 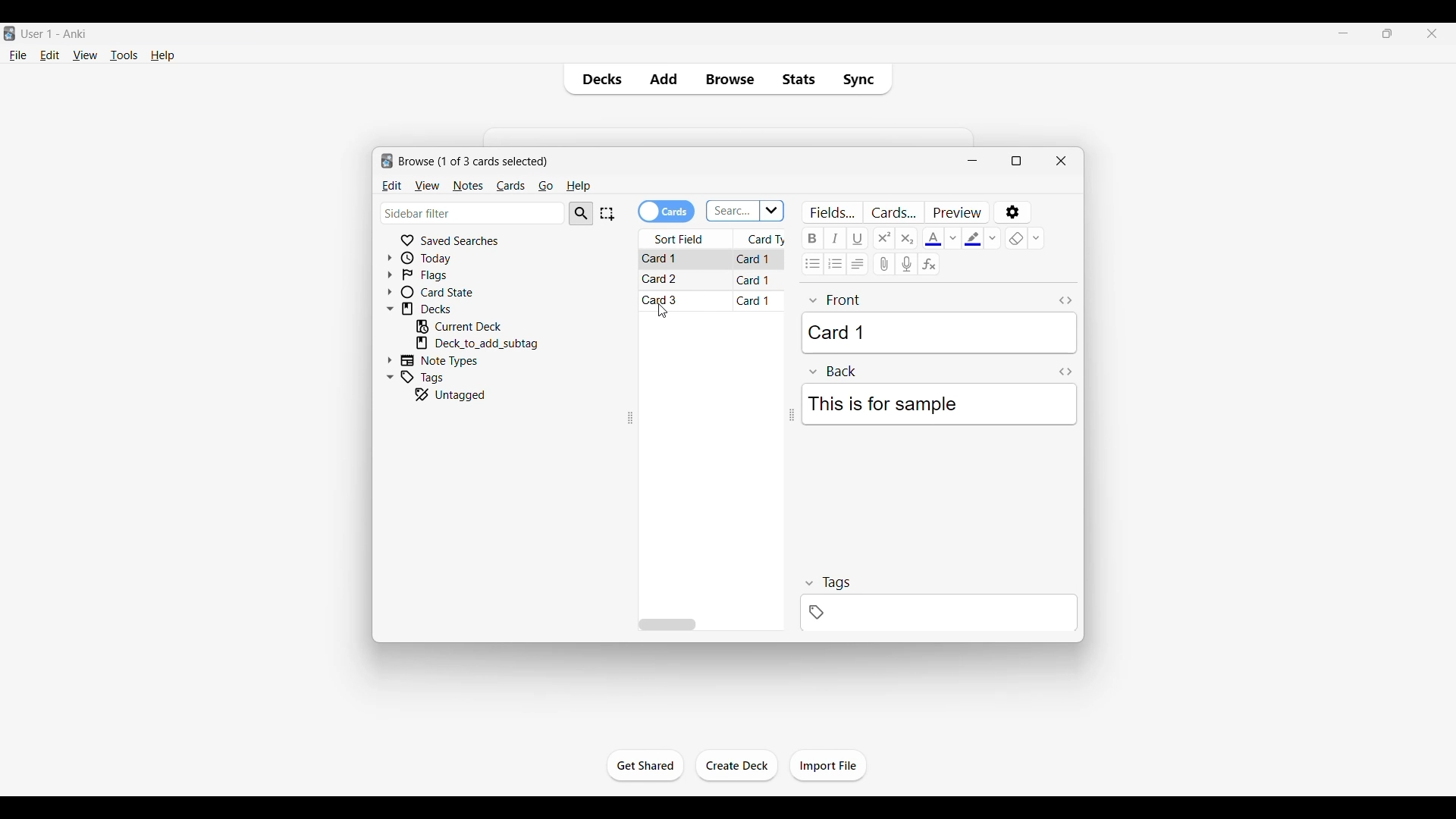 What do you see at coordinates (472, 394) in the screenshot?
I see `Click to go to untagged` at bounding box center [472, 394].